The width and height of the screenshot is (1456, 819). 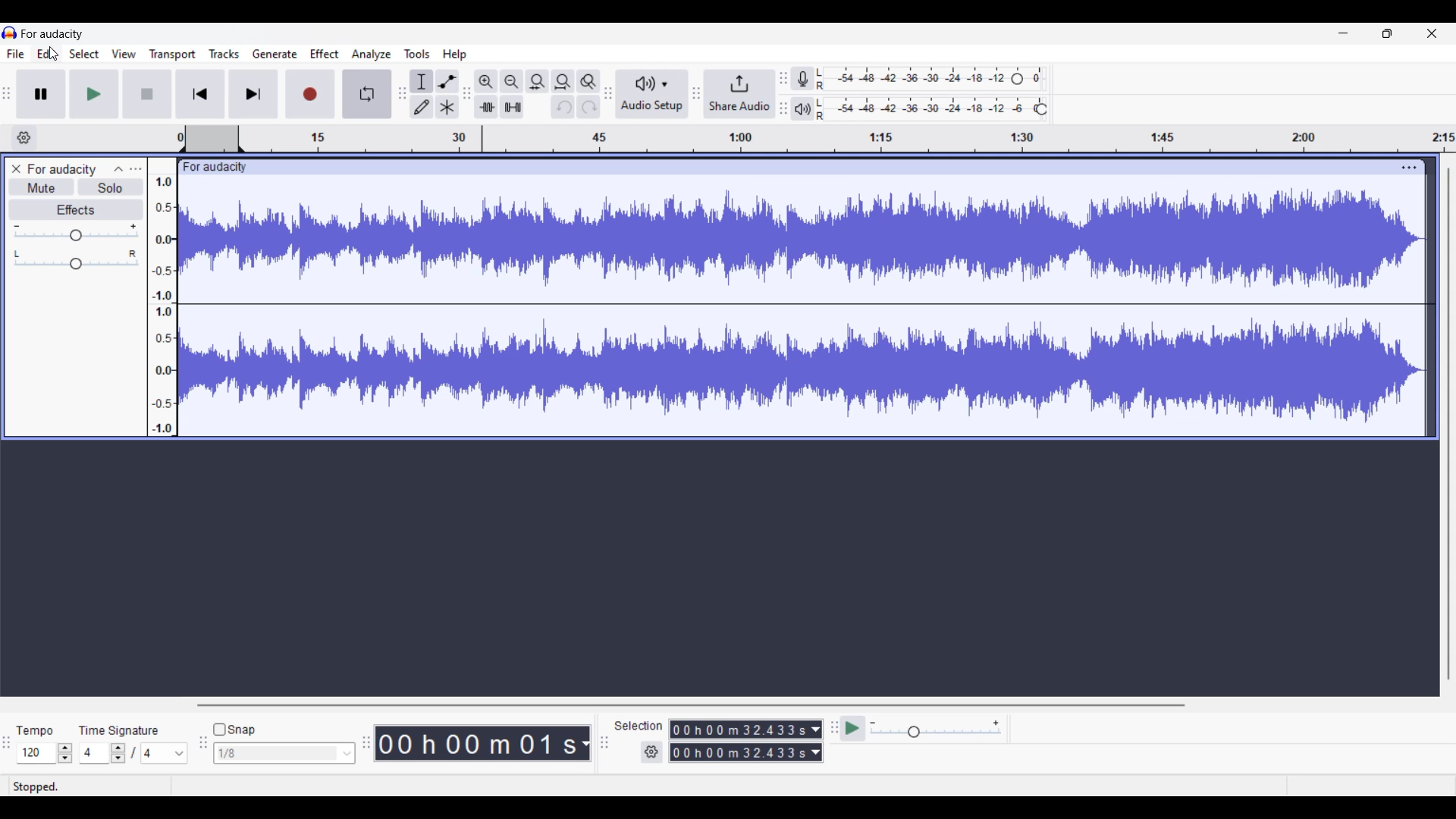 I want to click on Edit menu, so click(x=47, y=54).